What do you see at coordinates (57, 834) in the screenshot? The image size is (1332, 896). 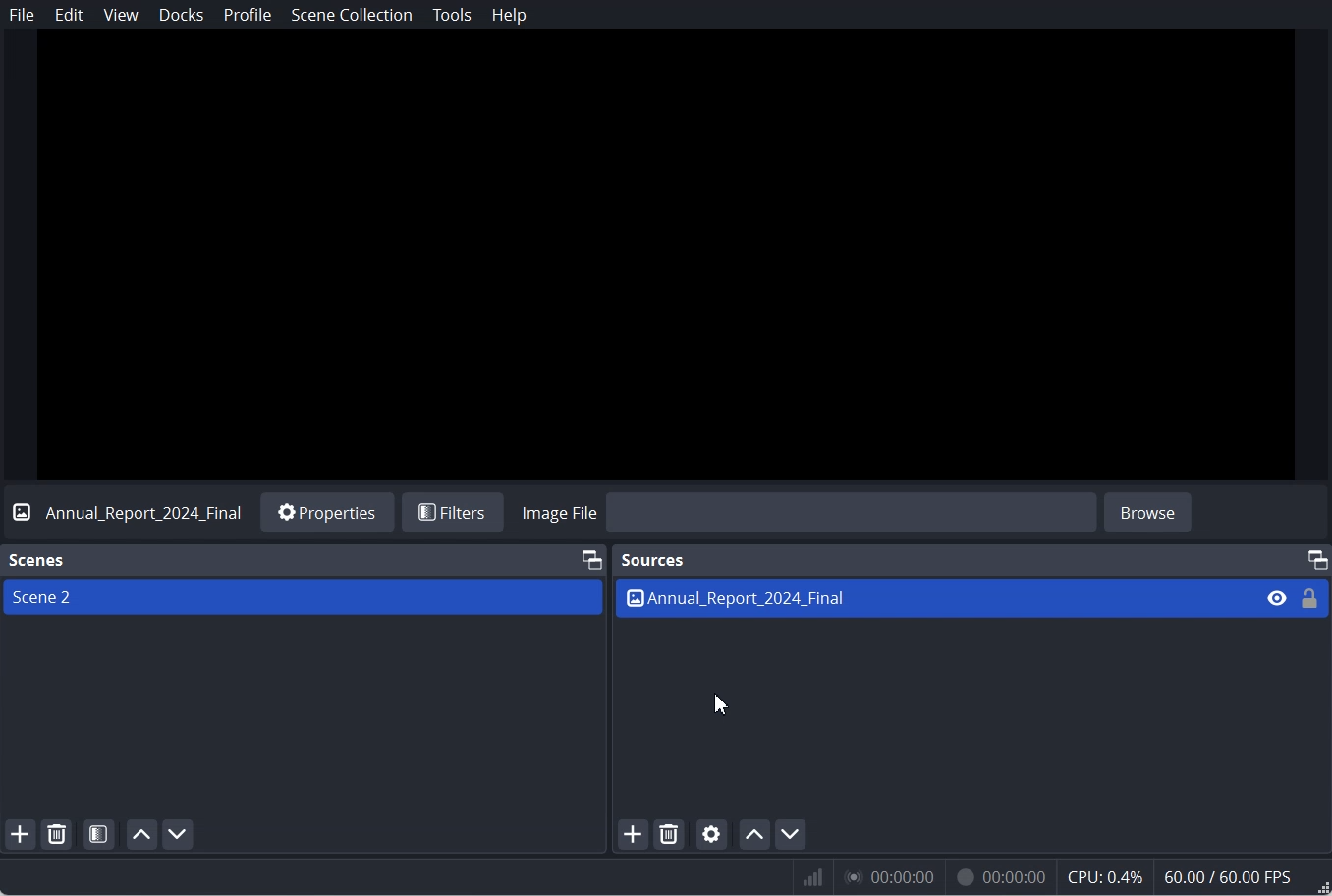 I see `Remove selected Scene` at bounding box center [57, 834].